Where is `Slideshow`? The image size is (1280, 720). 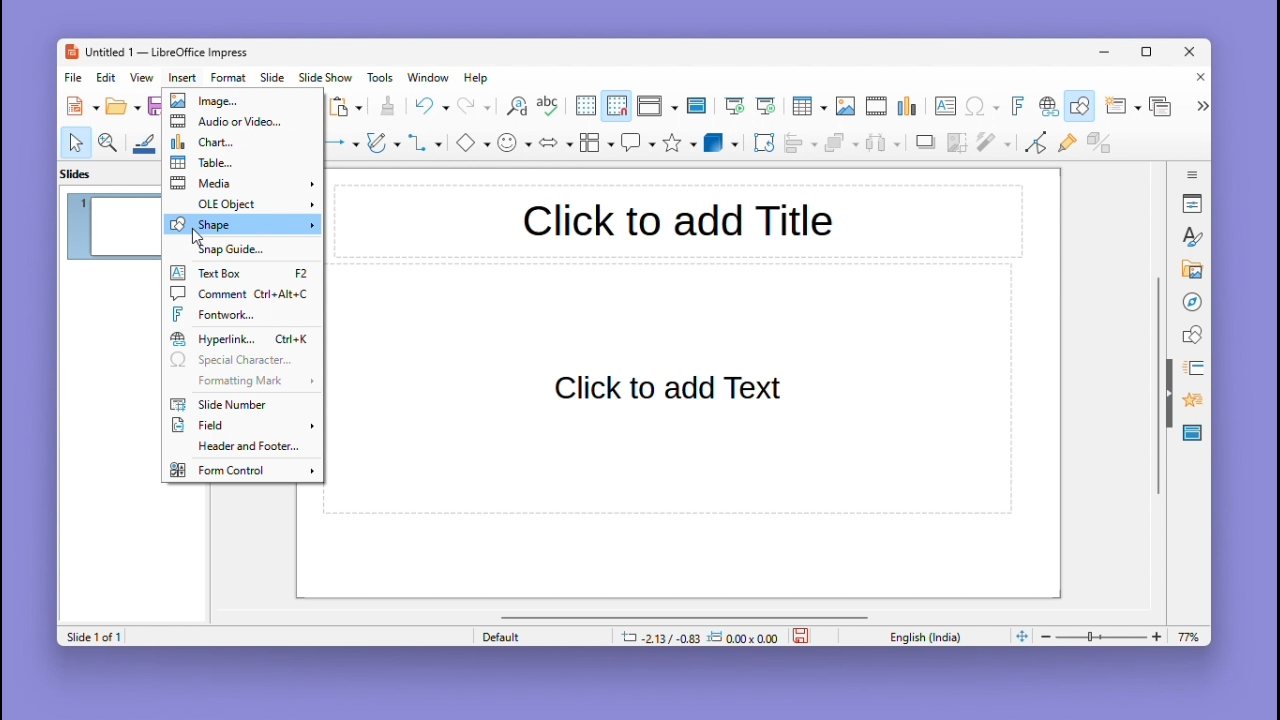
Slideshow is located at coordinates (327, 78).